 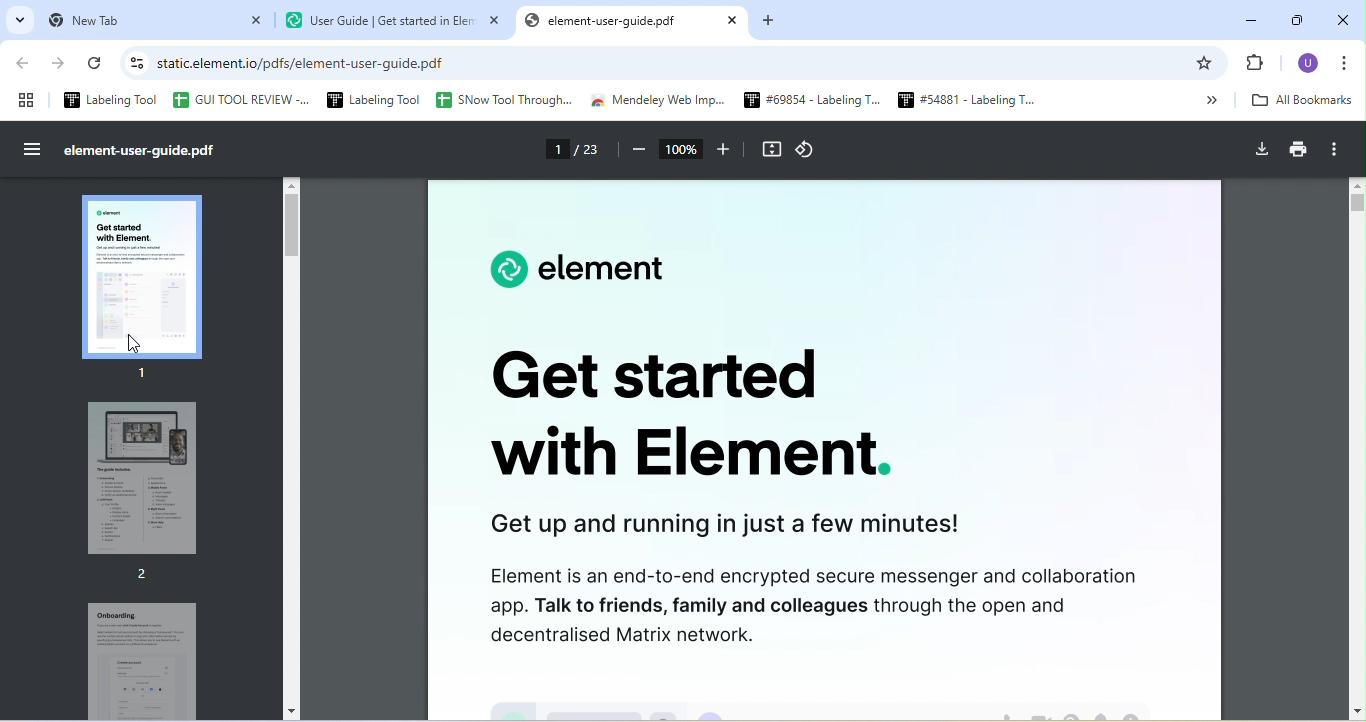 I want to click on images, so click(x=822, y=697).